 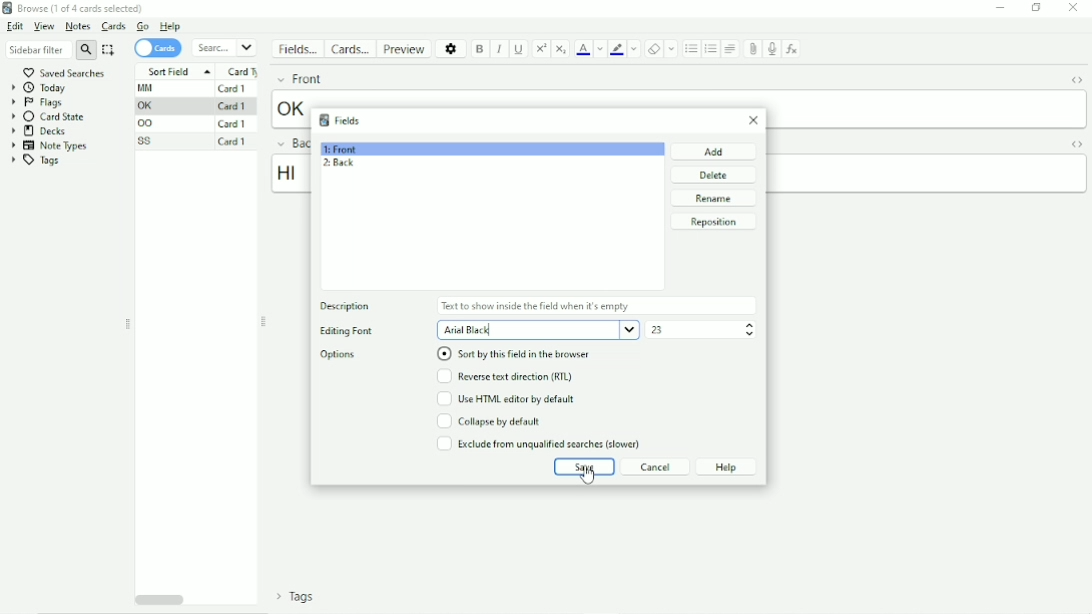 What do you see at coordinates (171, 26) in the screenshot?
I see `Help` at bounding box center [171, 26].